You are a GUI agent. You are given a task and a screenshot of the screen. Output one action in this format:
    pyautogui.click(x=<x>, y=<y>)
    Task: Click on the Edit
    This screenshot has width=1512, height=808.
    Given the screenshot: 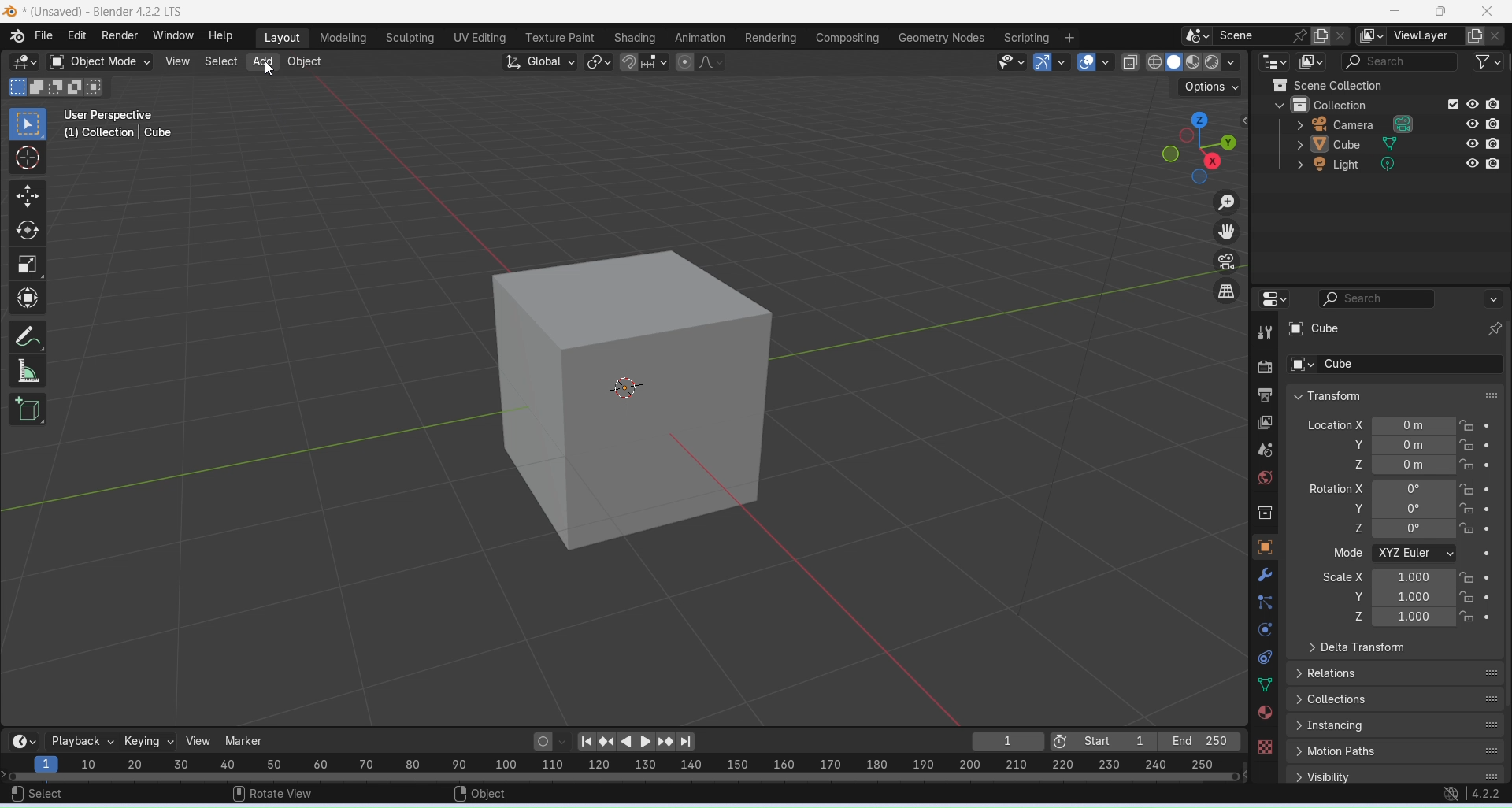 What is the action you would take?
    pyautogui.click(x=78, y=35)
    